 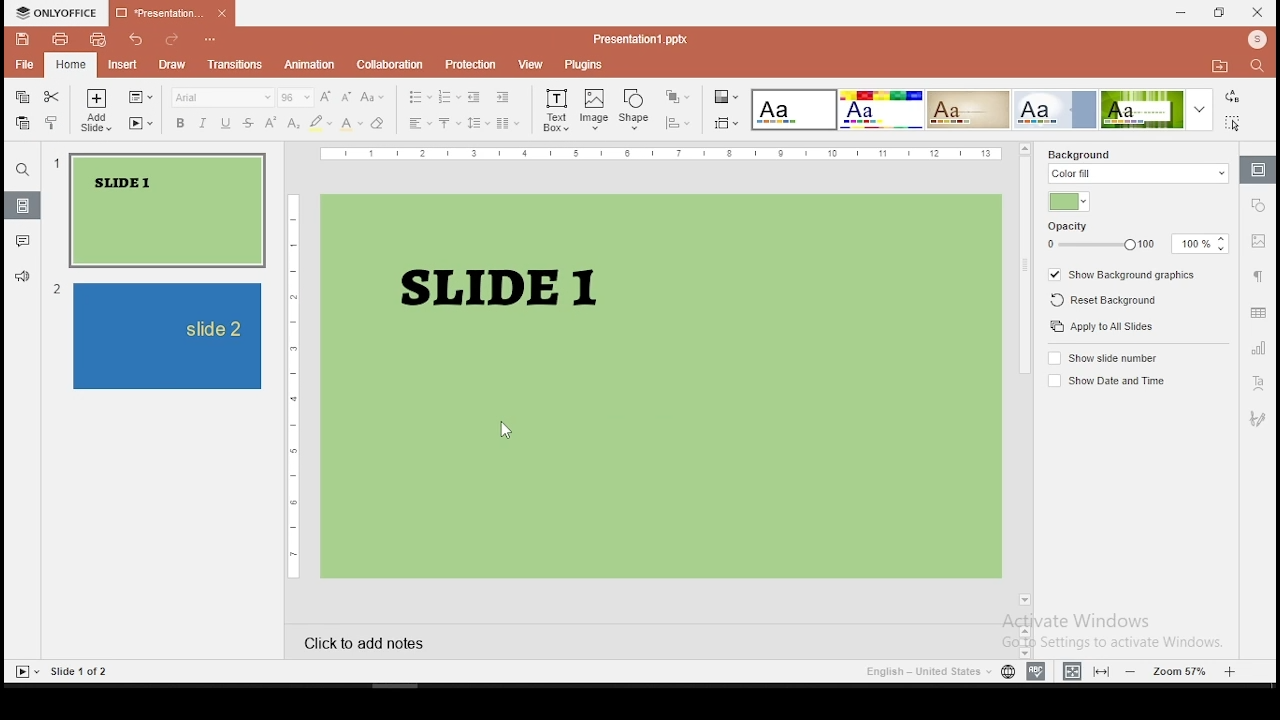 What do you see at coordinates (793, 110) in the screenshot?
I see `select color theme` at bounding box center [793, 110].